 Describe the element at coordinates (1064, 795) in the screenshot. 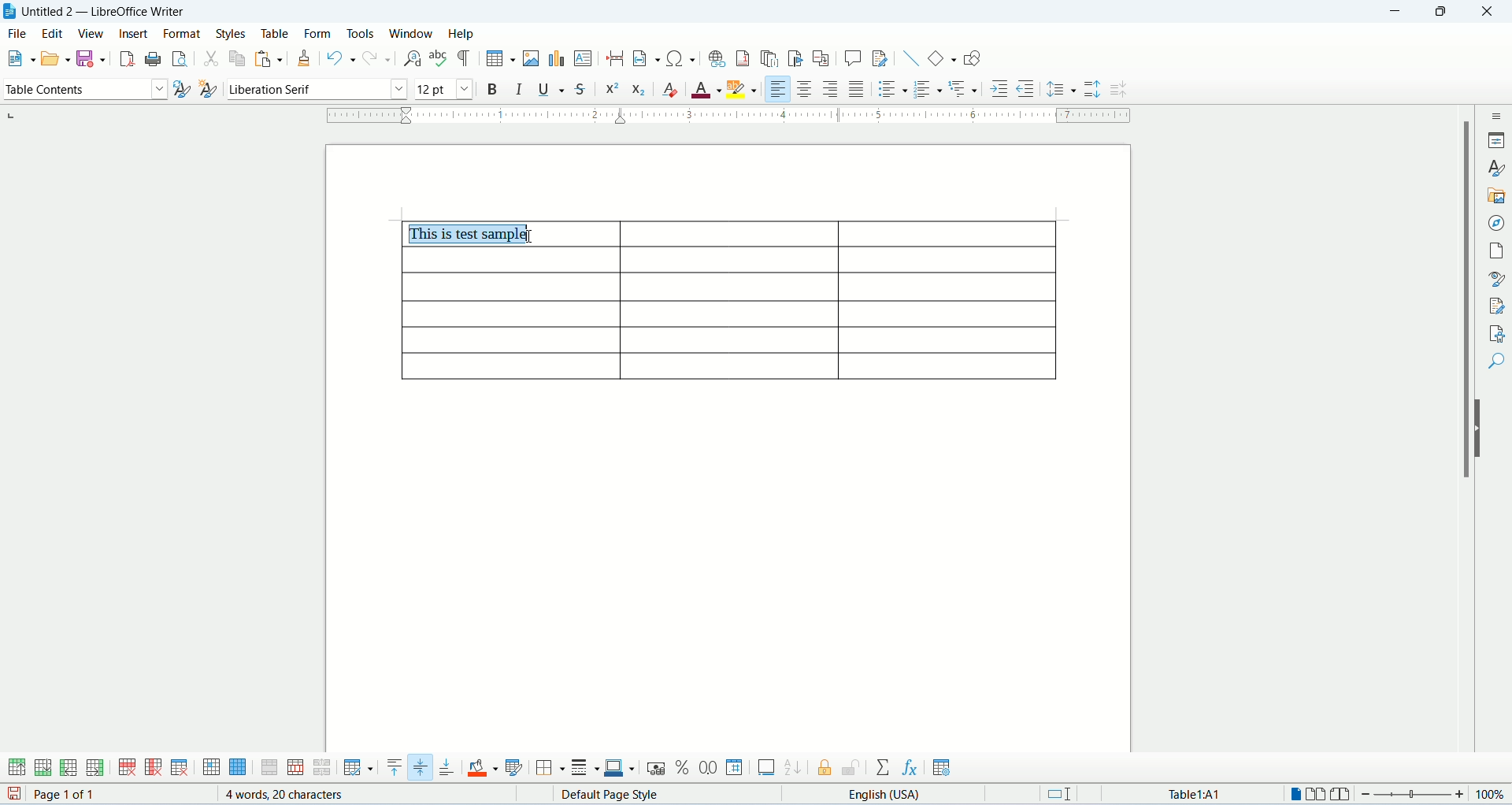

I see `standard selection` at that location.